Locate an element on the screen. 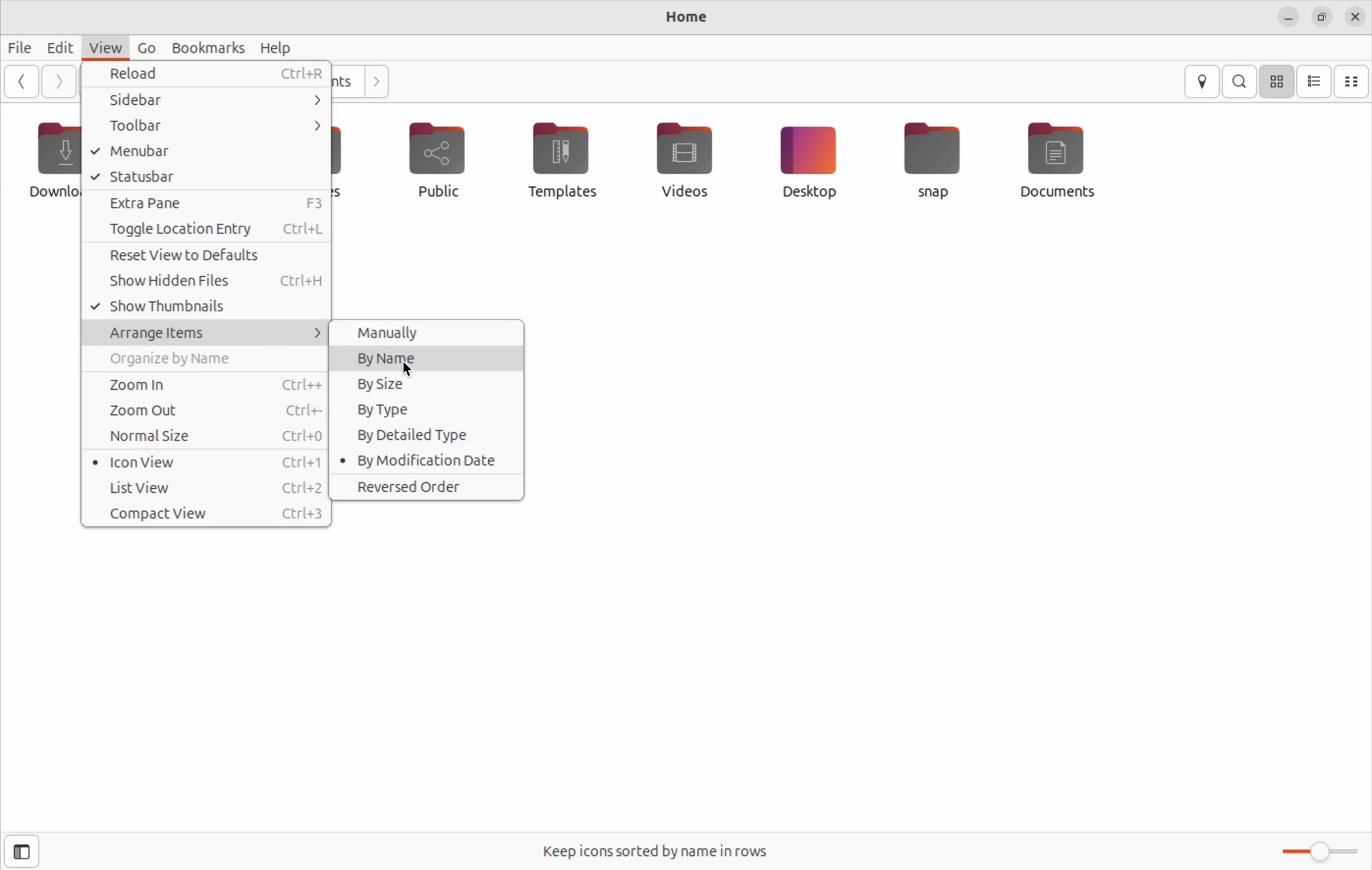 The image size is (1372, 870). arrange items is located at coordinates (207, 333).